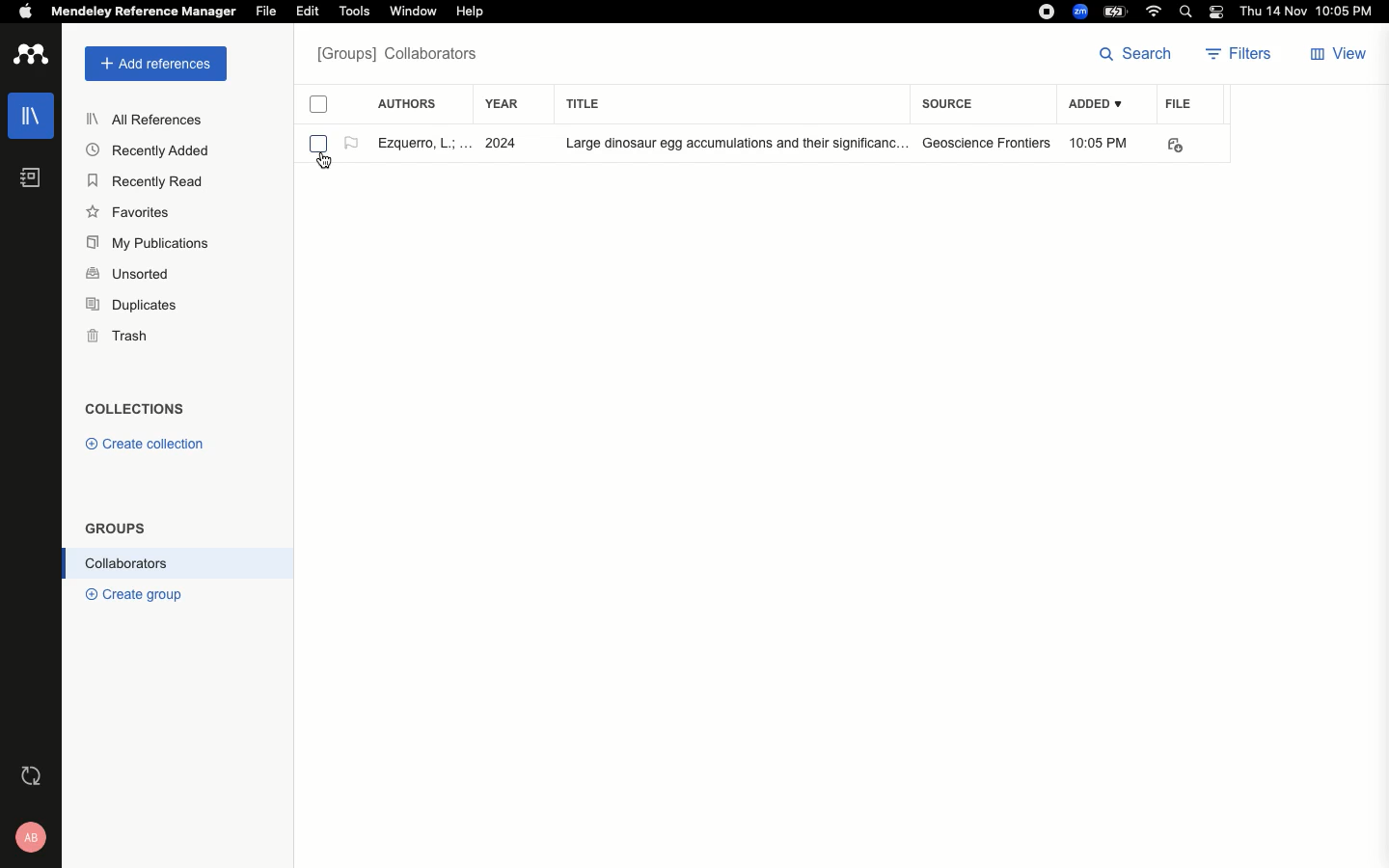  What do you see at coordinates (34, 116) in the screenshot?
I see `Library` at bounding box center [34, 116].